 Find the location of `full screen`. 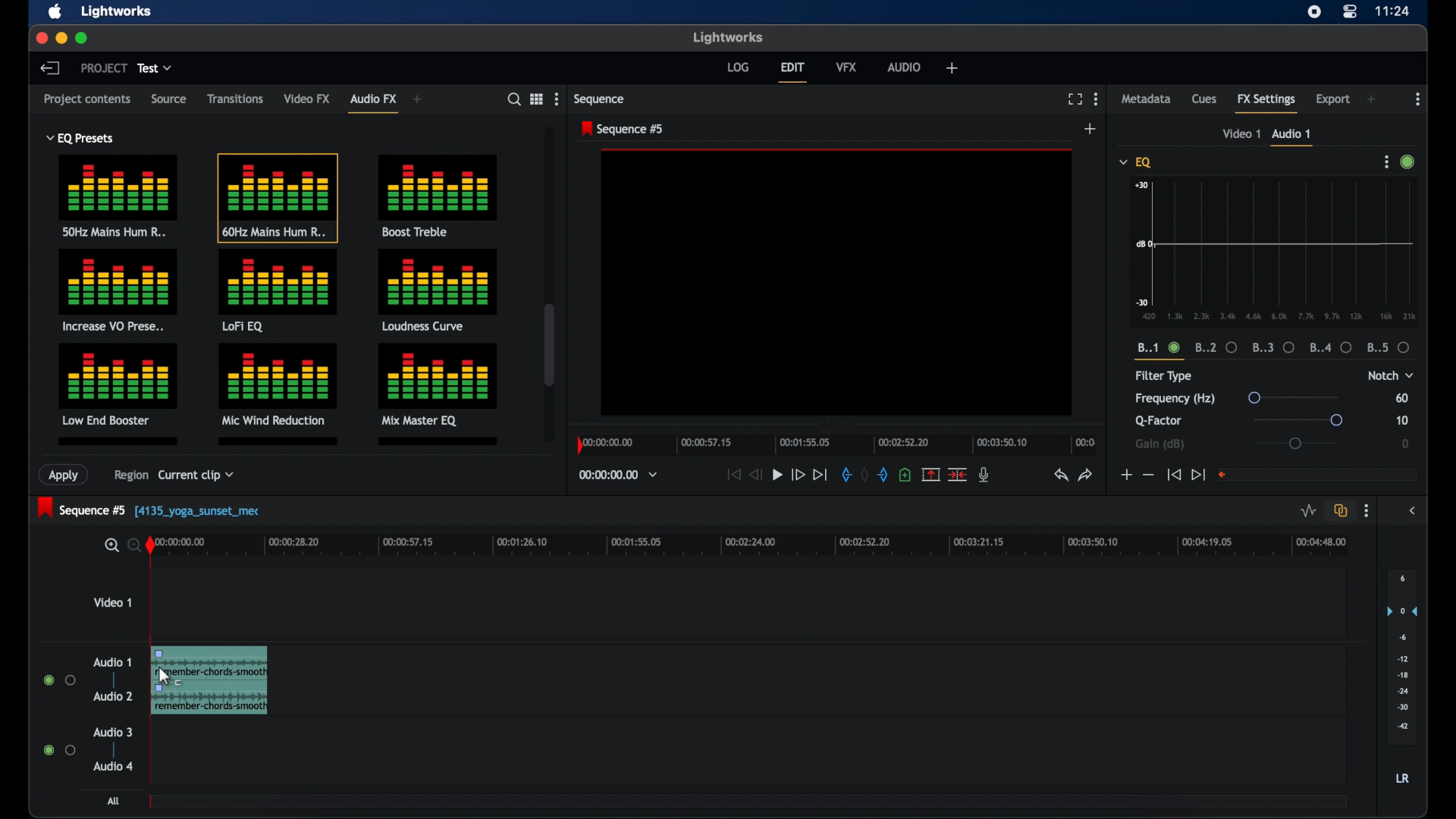

full screen is located at coordinates (1075, 99).